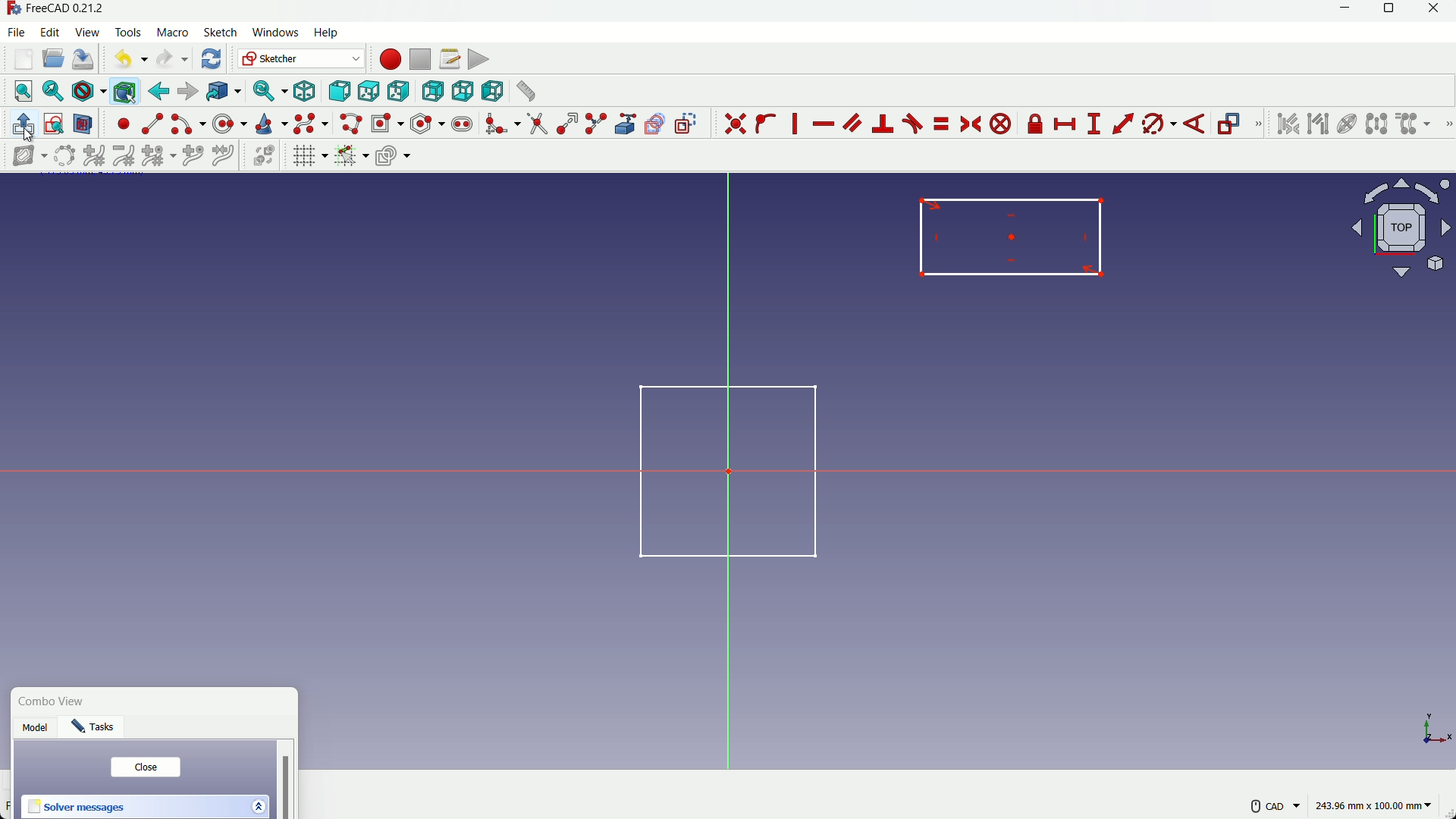  I want to click on more settings, so click(1276, 806).